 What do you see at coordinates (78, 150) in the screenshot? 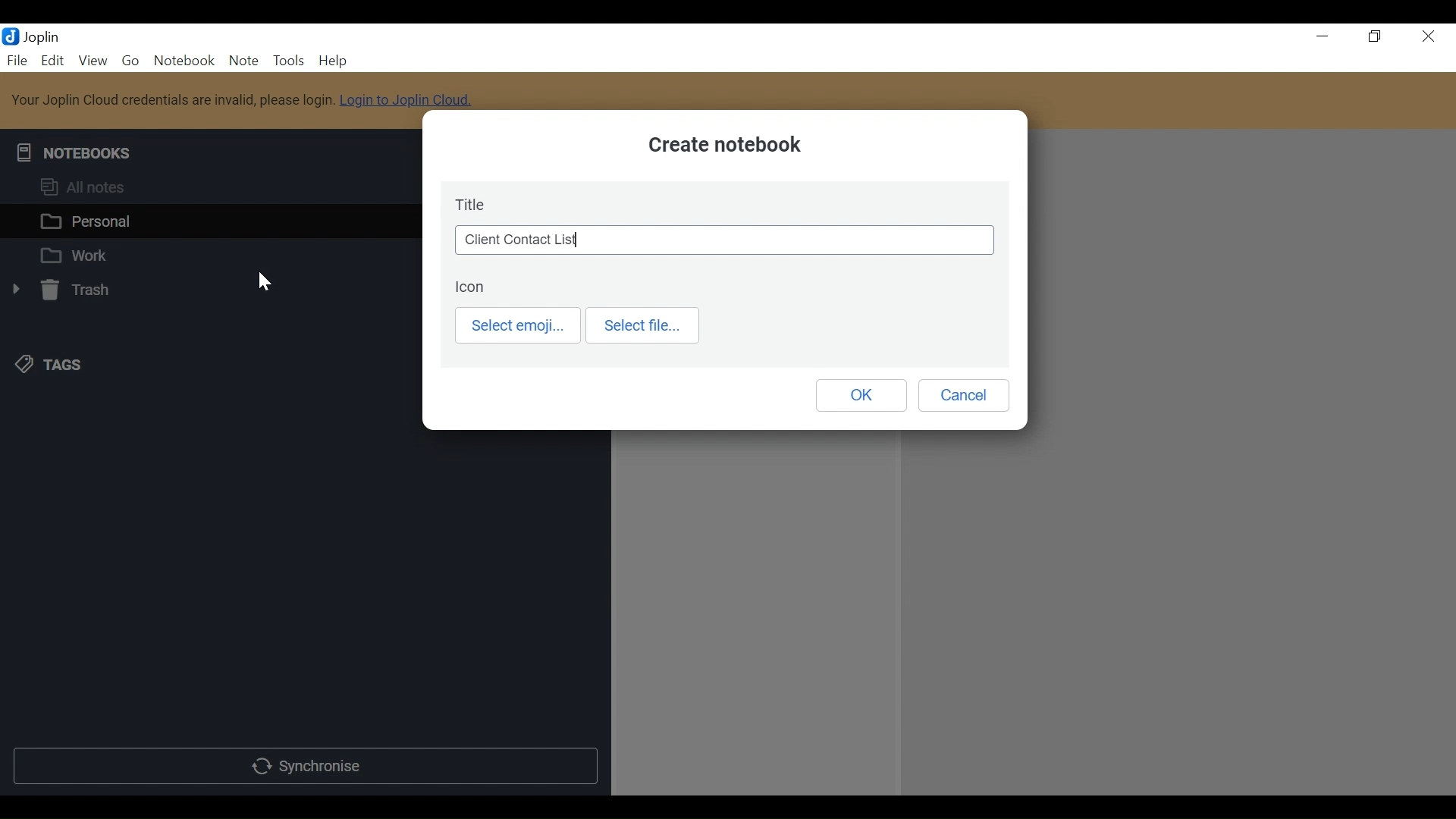
I see `Notebooks` at bounding box center [78, 150].